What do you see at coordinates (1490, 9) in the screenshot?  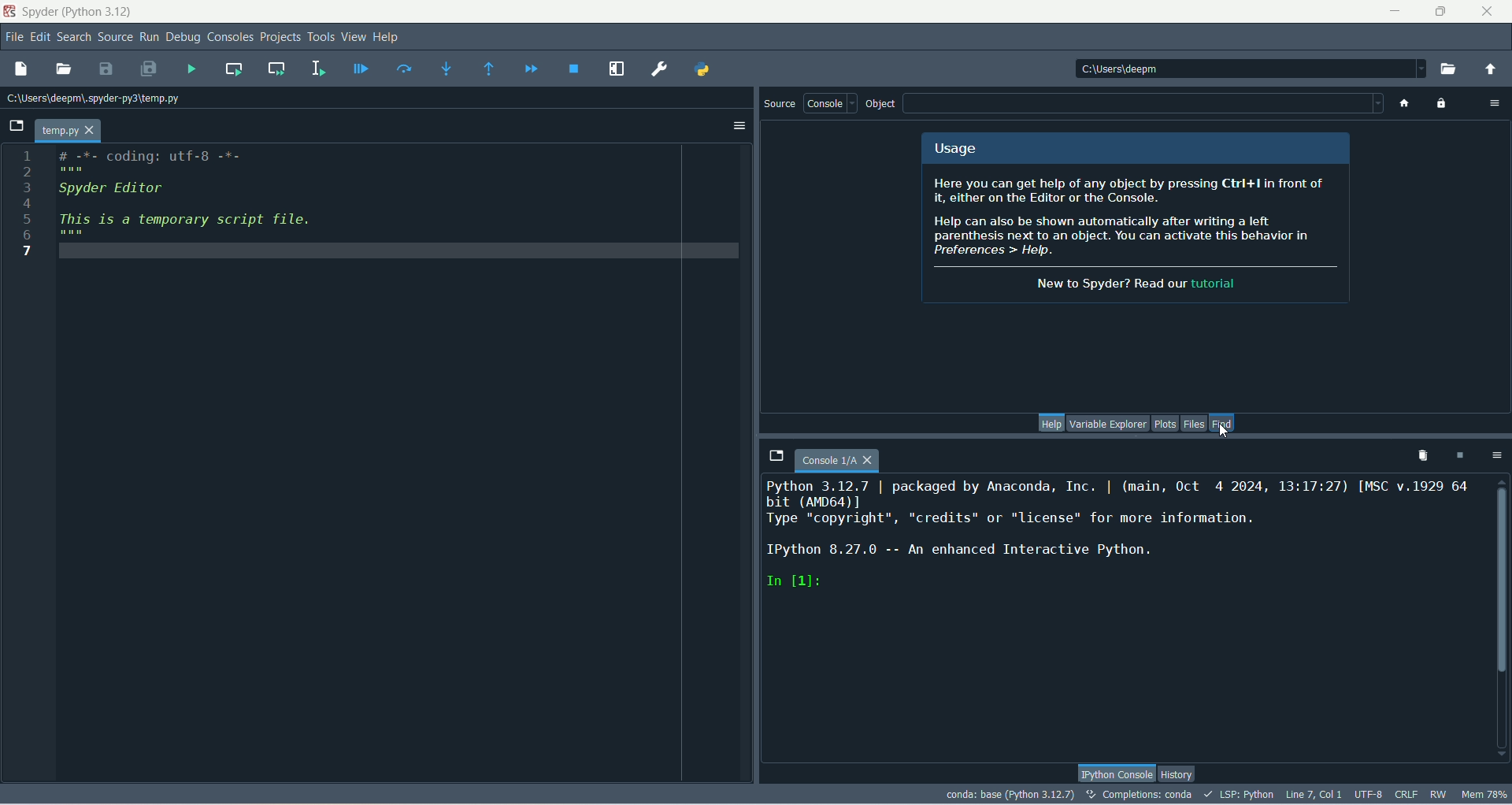 I see `close` at bounding box center [1490, 9].